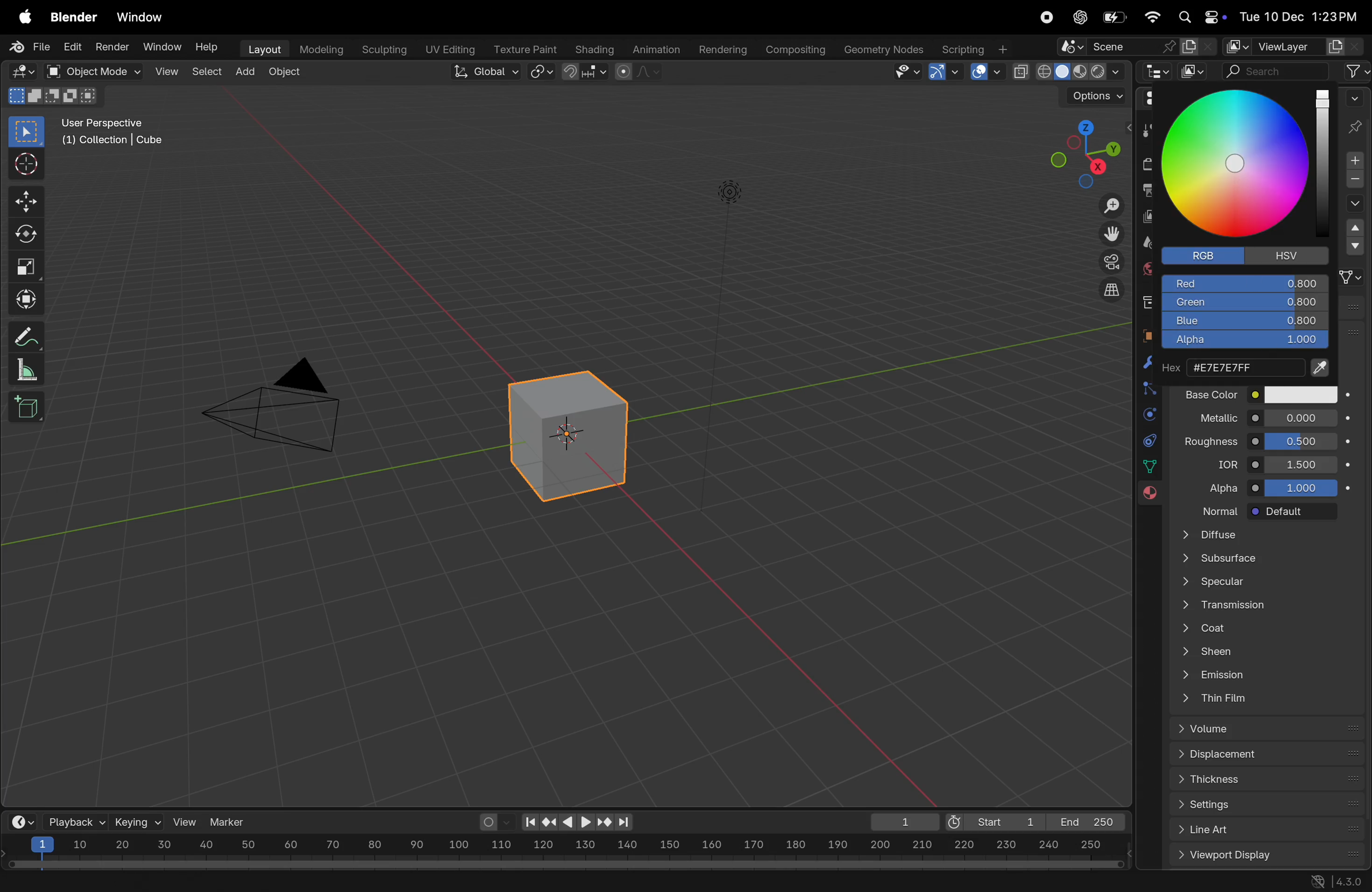 Image resolution: width=1372 pixels, height=892 pixels. What do you see at coordinates (1088, 96) in the screenshot?
I see `options` at bounding box center [1088, 96].